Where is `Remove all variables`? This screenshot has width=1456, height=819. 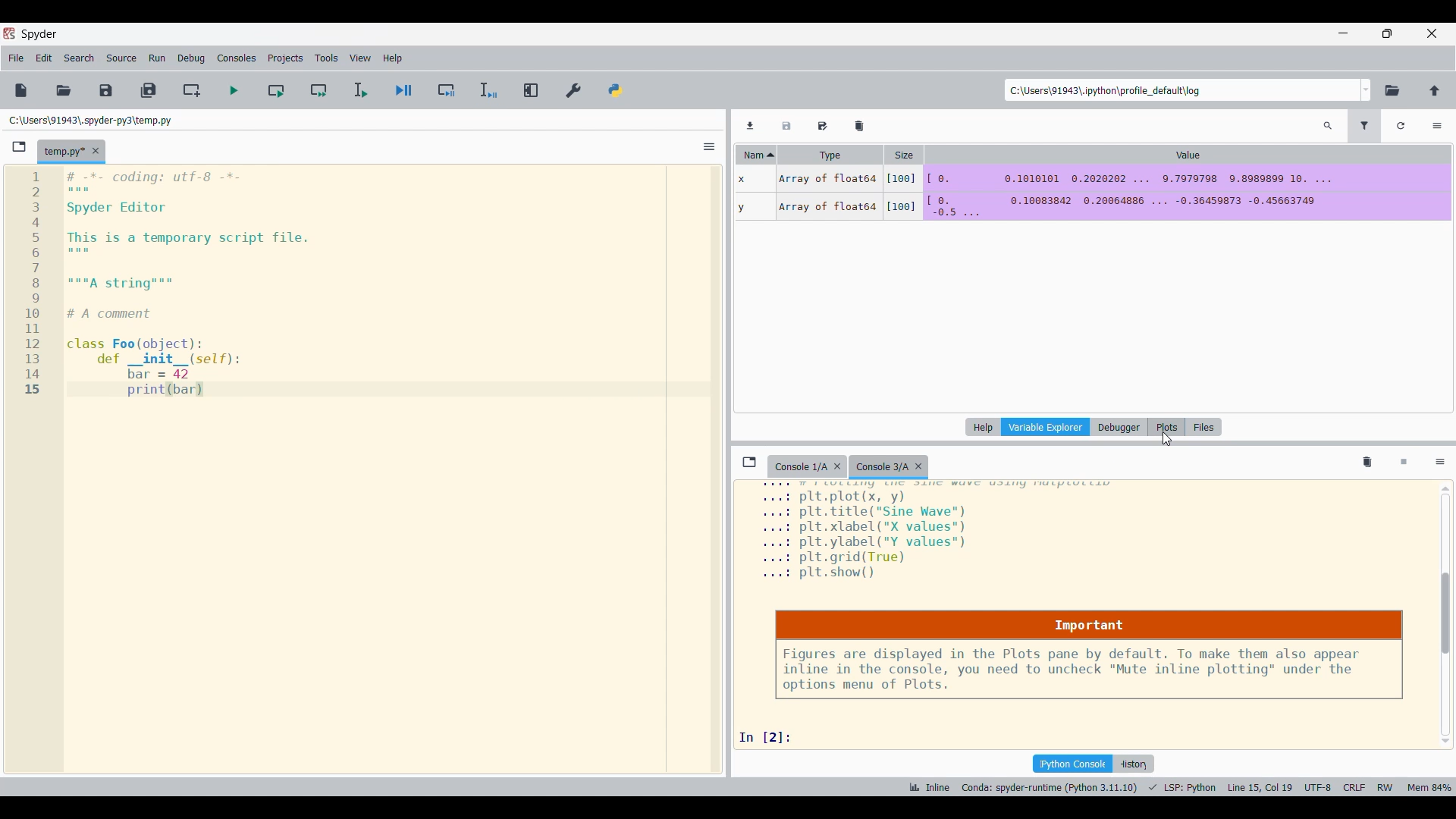
Remove all variables is located at coordinates (860, 126).